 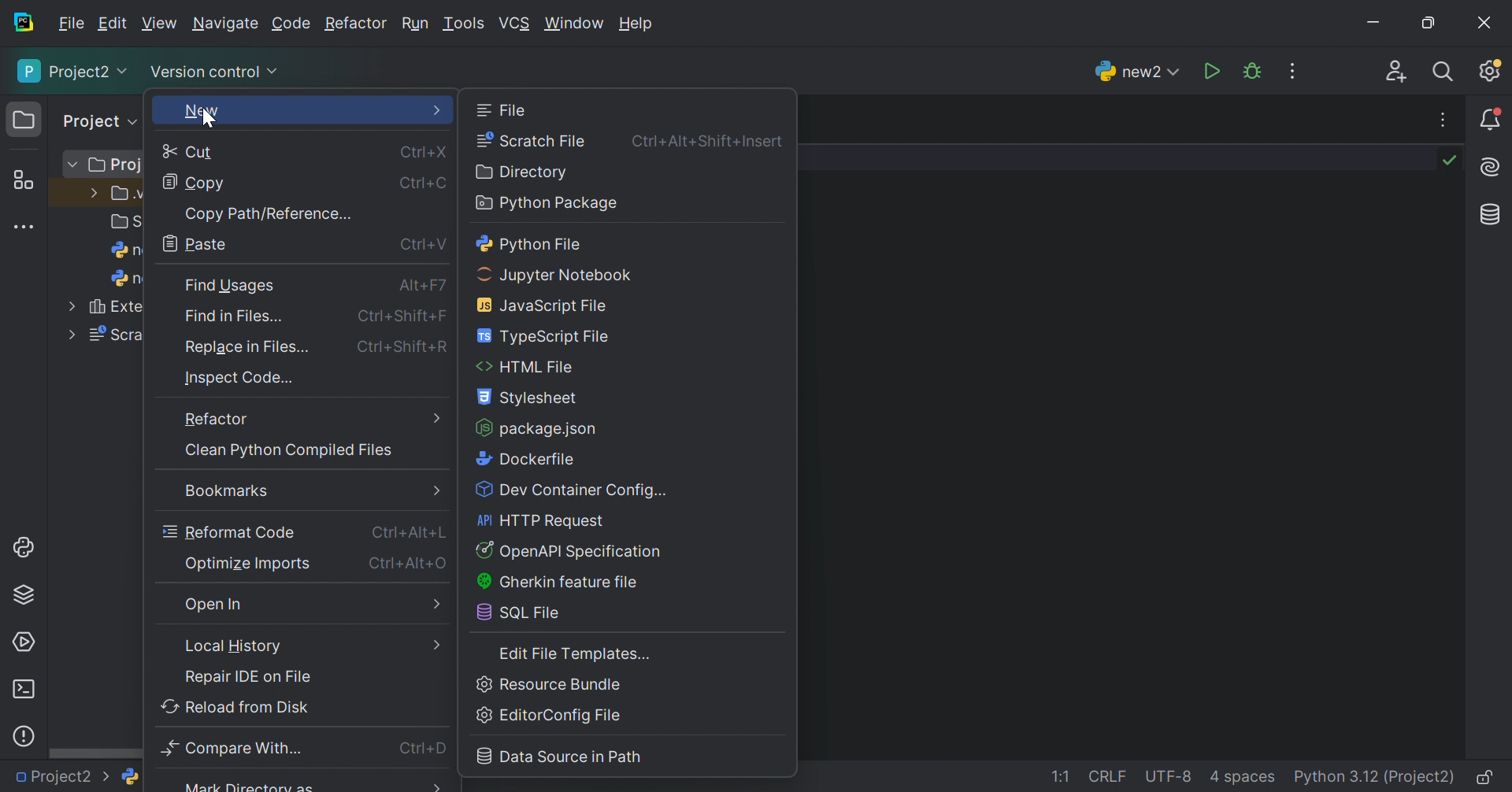 I want to click on S, so click(x=121, y=220).